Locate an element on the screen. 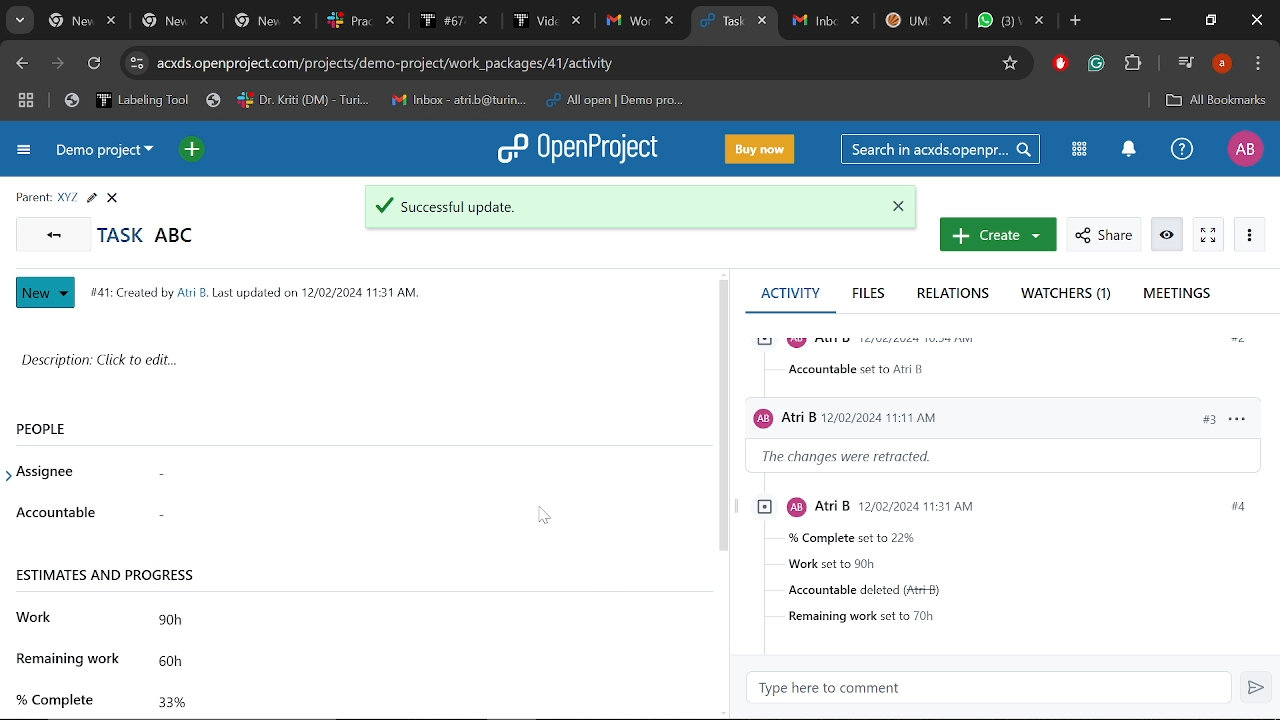 The width and height of the screenshot is (1280, 720). Create is located at coordinates (995, 236).